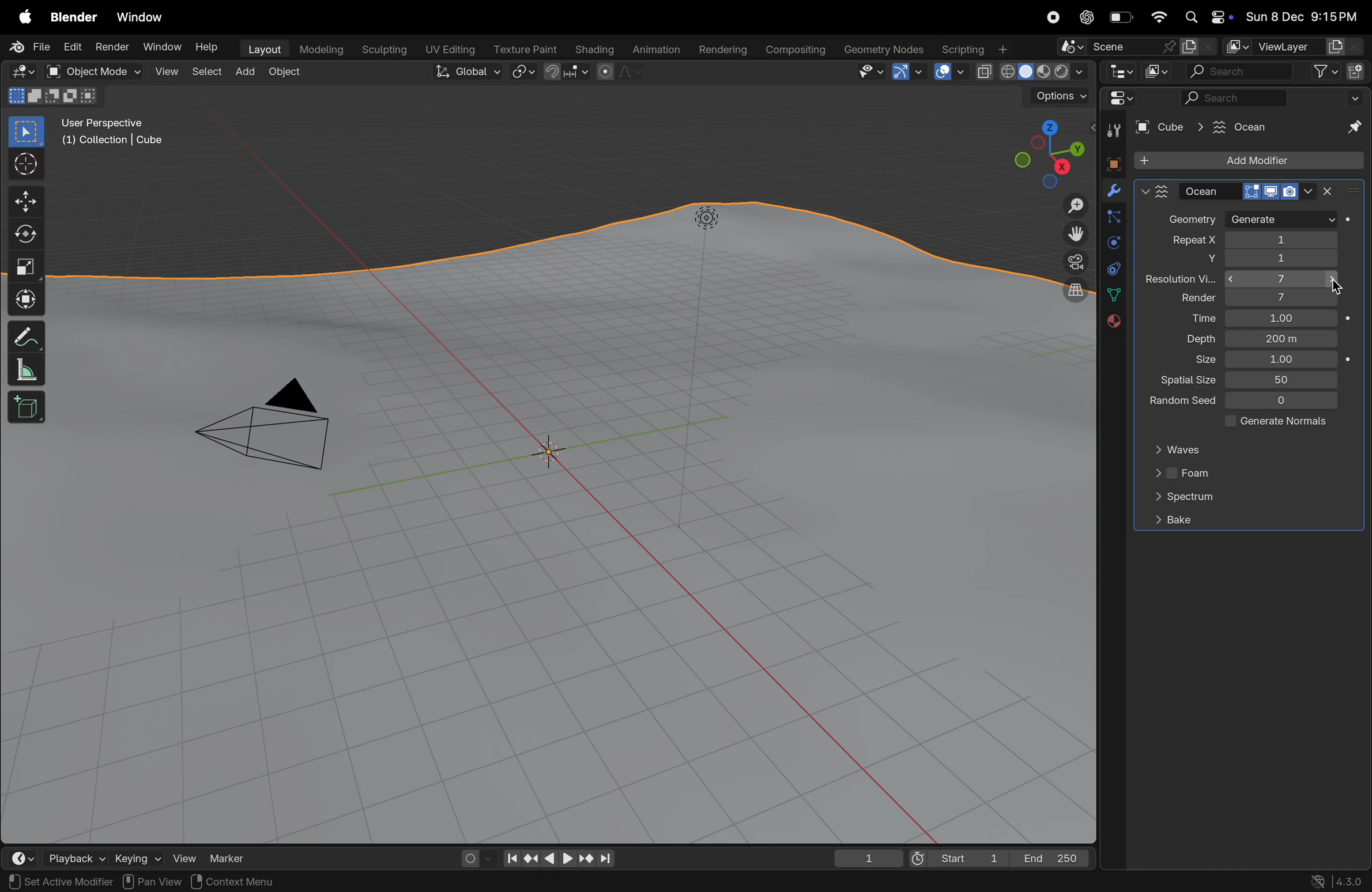 This screenshot has height=892, width=1372. Describe the element at coordinates (559, 859) in the screenshot. I see `playbacks controls` at that location.